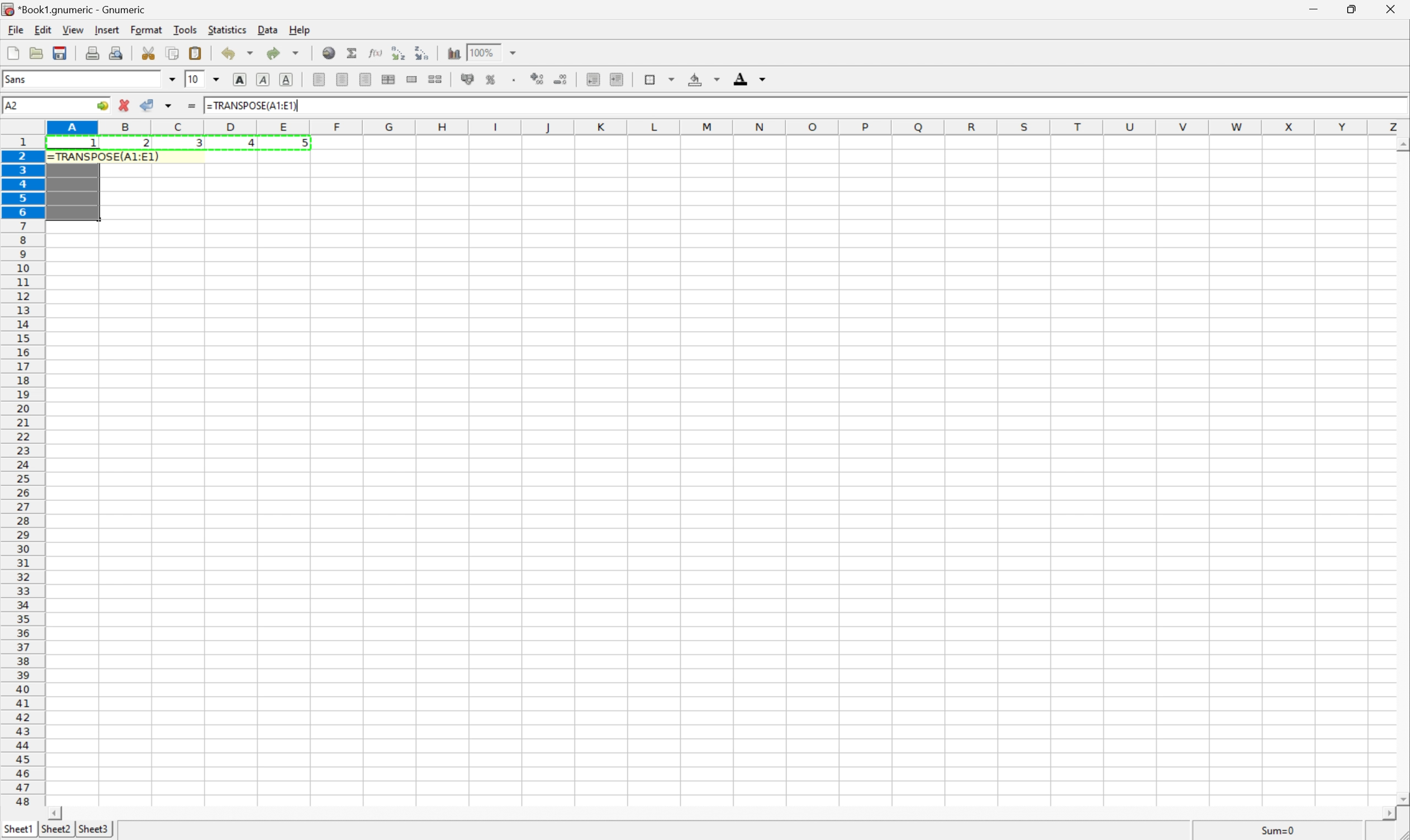  Describe the element at coordinates (1393, 11) in the screenshot. I see `close` at that location.